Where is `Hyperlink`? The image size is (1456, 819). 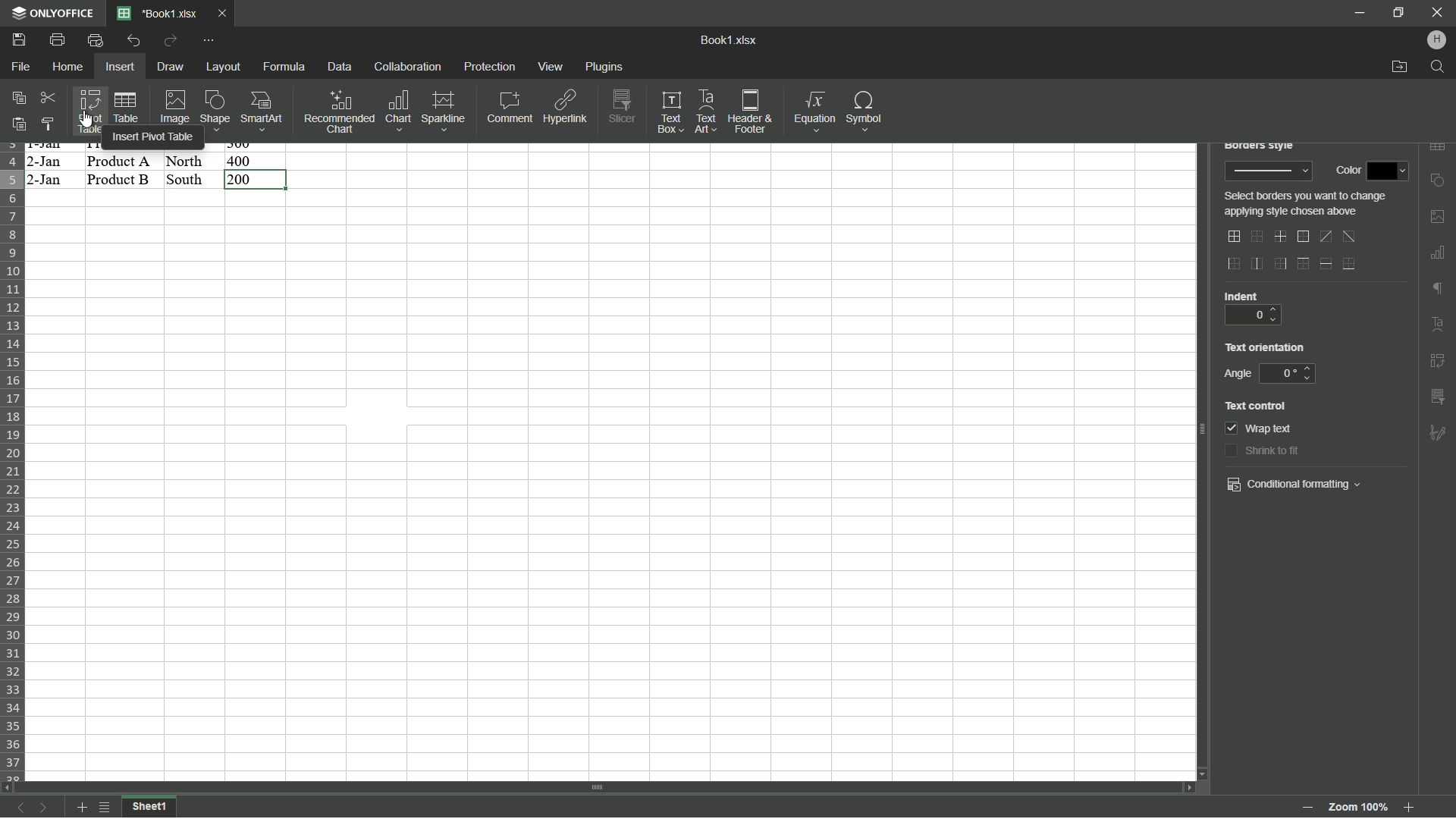 Hyperlink is located at coordinates (566, 108).